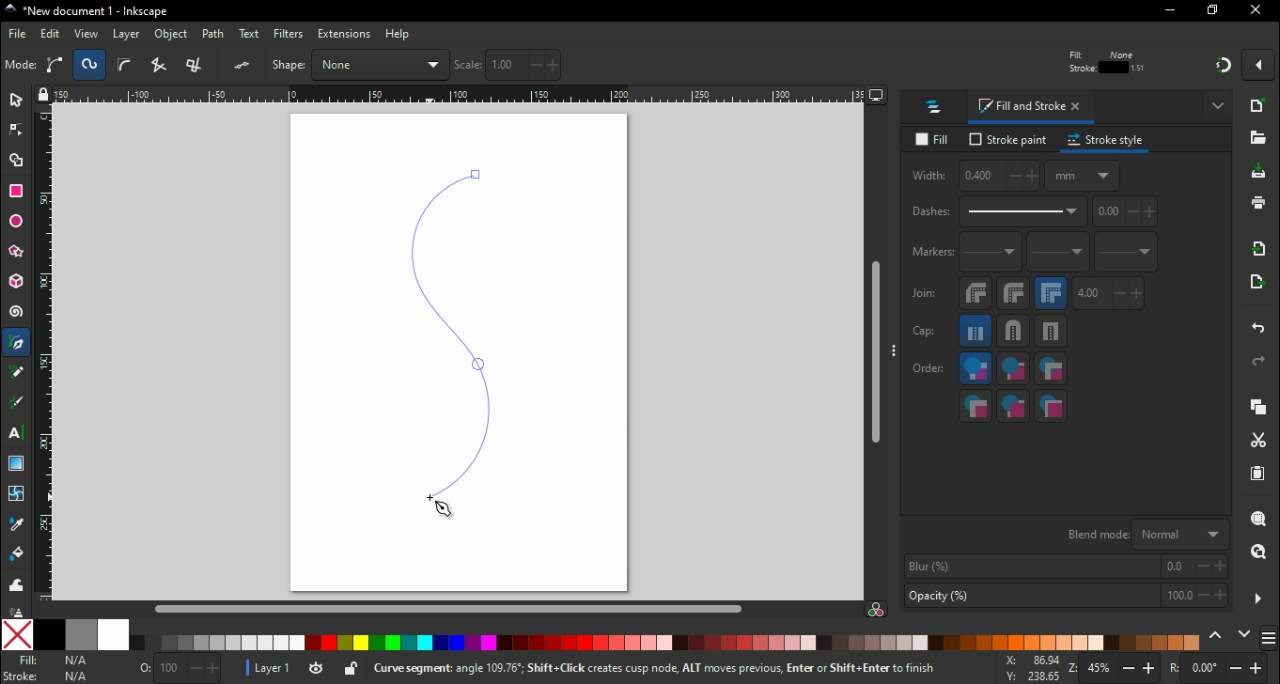  Describe the element at coordinates (1258, 138) in the screenshot. I see `open file dialogue` at that location.